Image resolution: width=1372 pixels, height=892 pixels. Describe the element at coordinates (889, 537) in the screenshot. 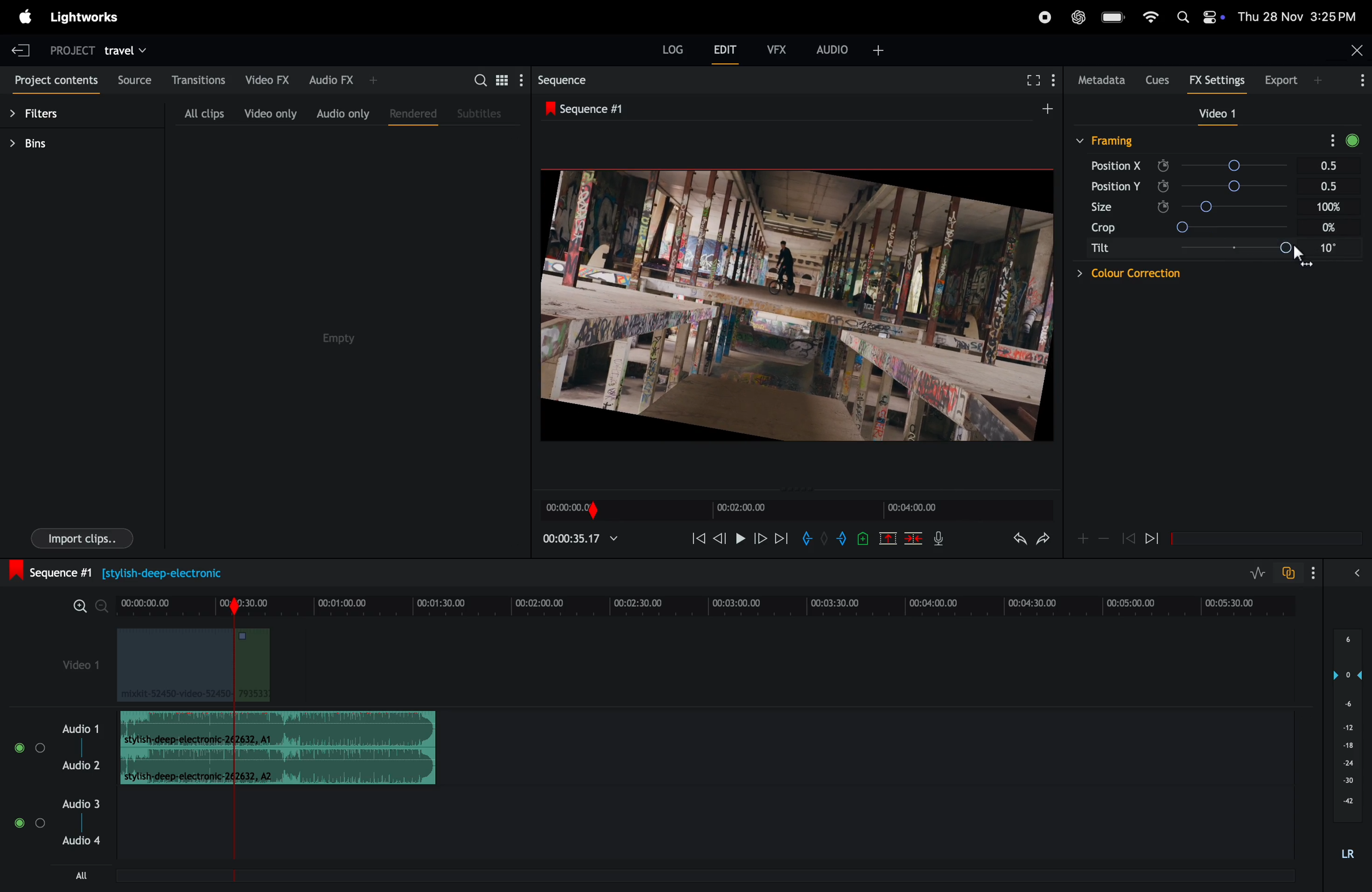

I see `remove marked section` at that location.